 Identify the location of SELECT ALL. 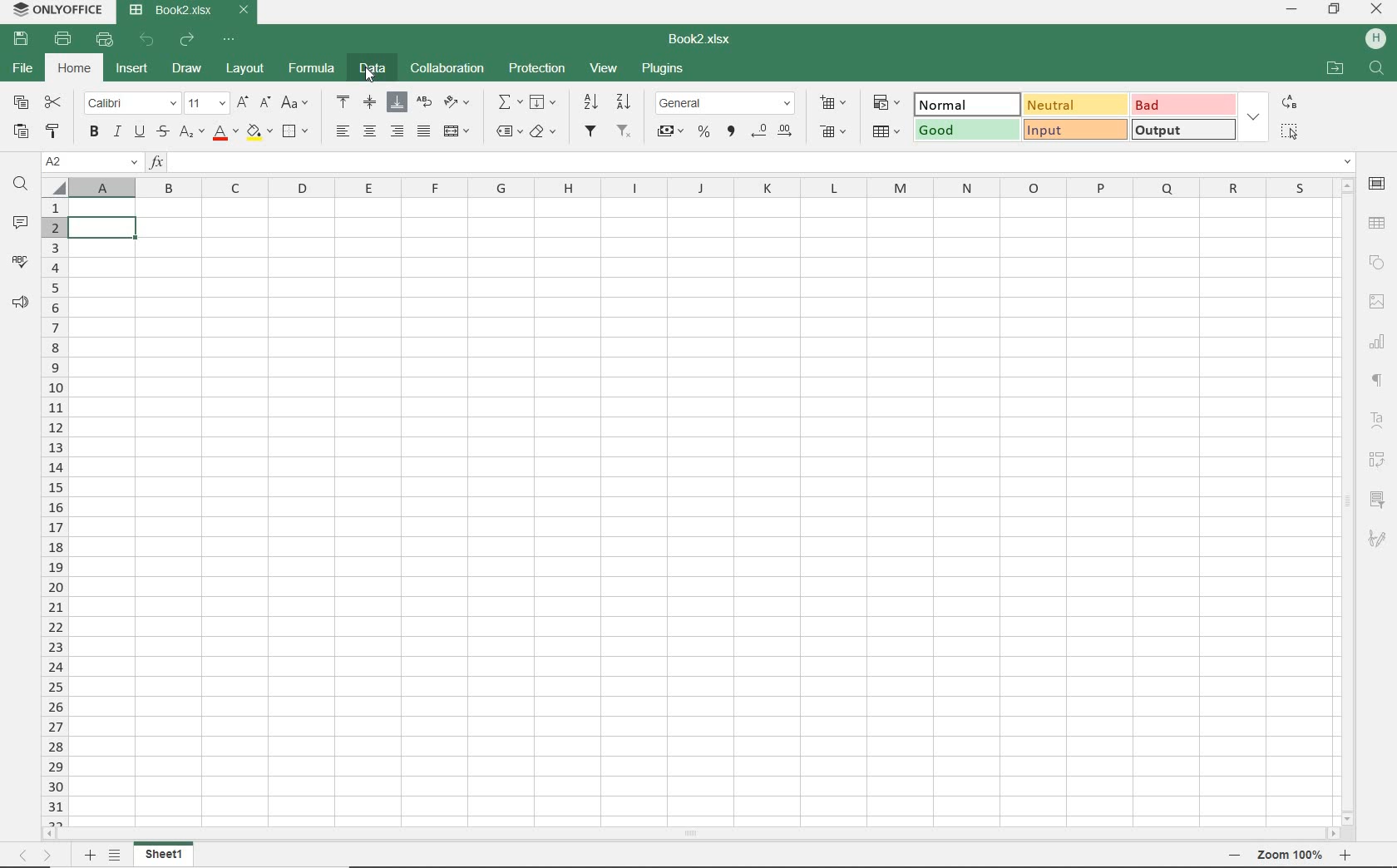
(1289, 132).